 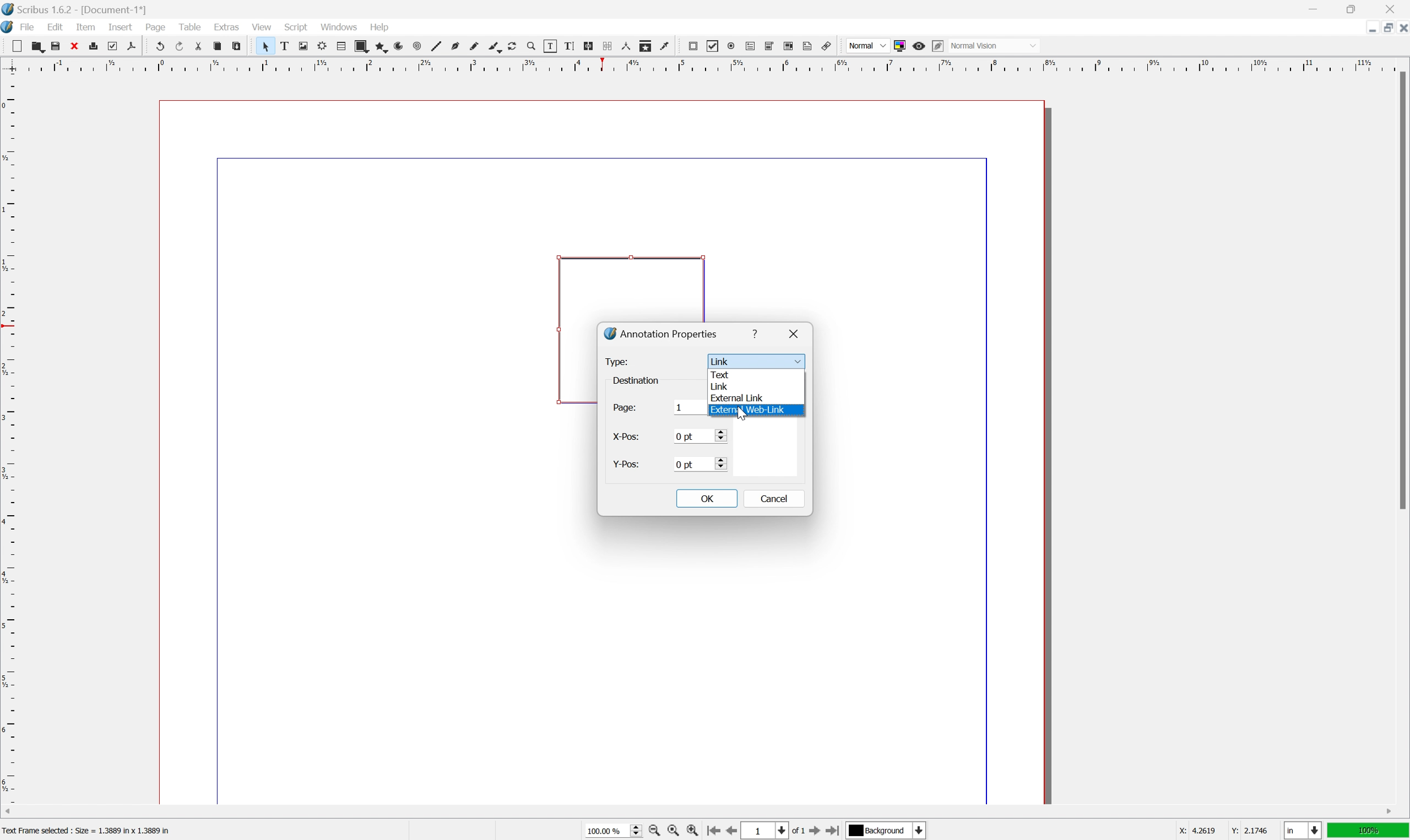 What do you see at coordinates (399, 46) in the screenshot?
I see `arc` at bounding box center [399, 46].